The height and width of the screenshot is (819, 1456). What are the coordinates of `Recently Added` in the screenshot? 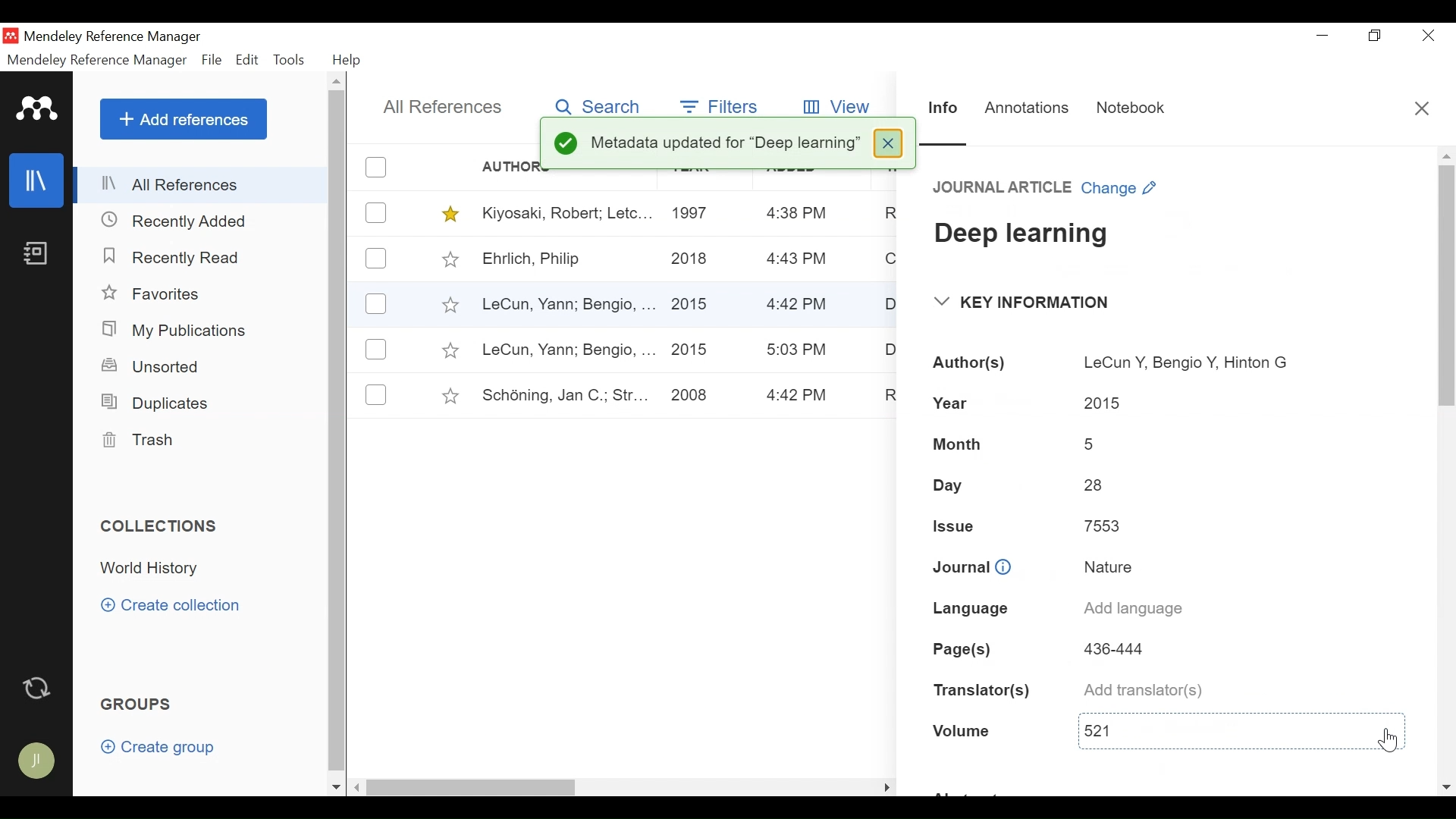 It's located at (181, 220).